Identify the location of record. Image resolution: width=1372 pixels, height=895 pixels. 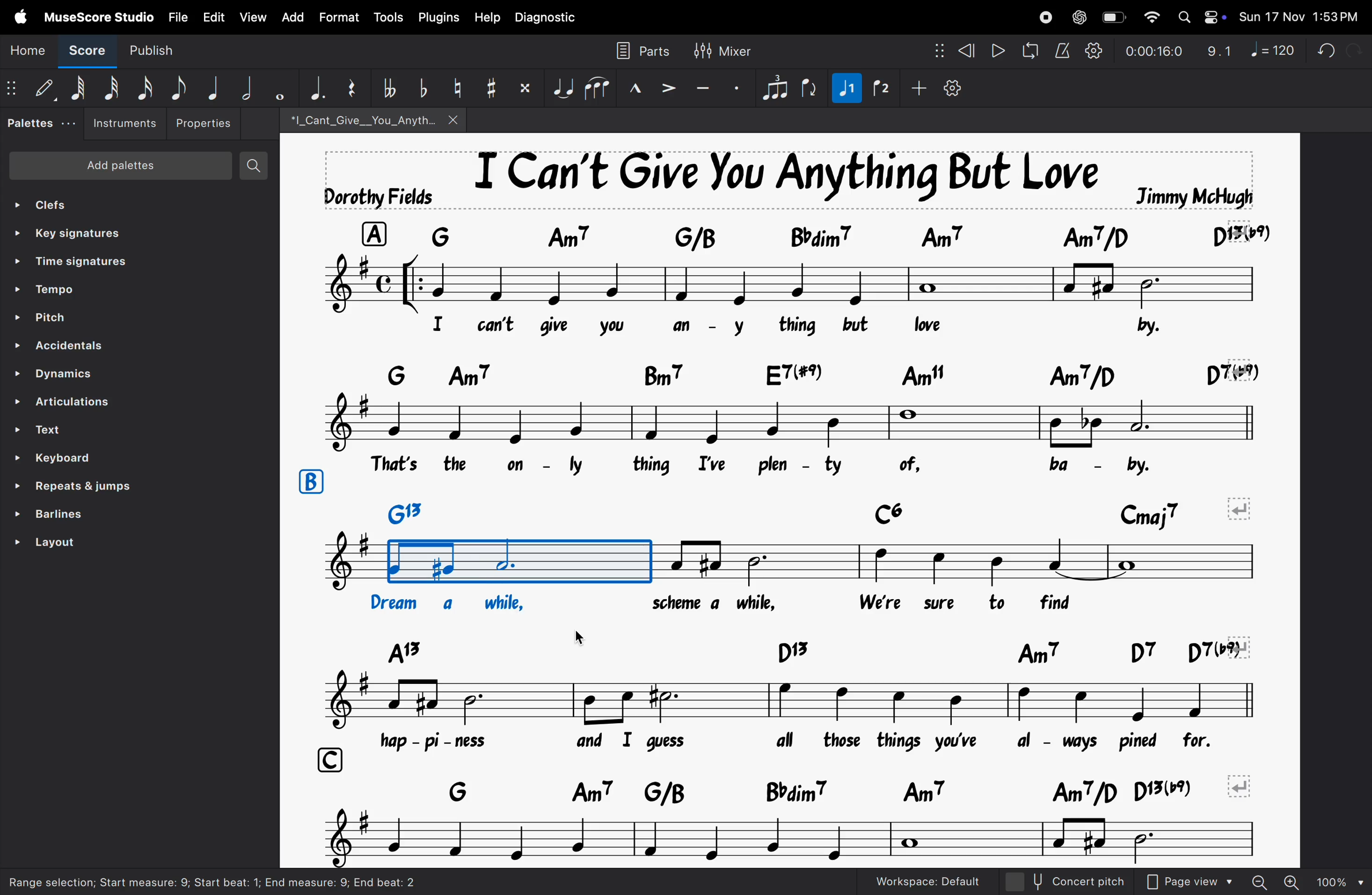
(1041, 18).